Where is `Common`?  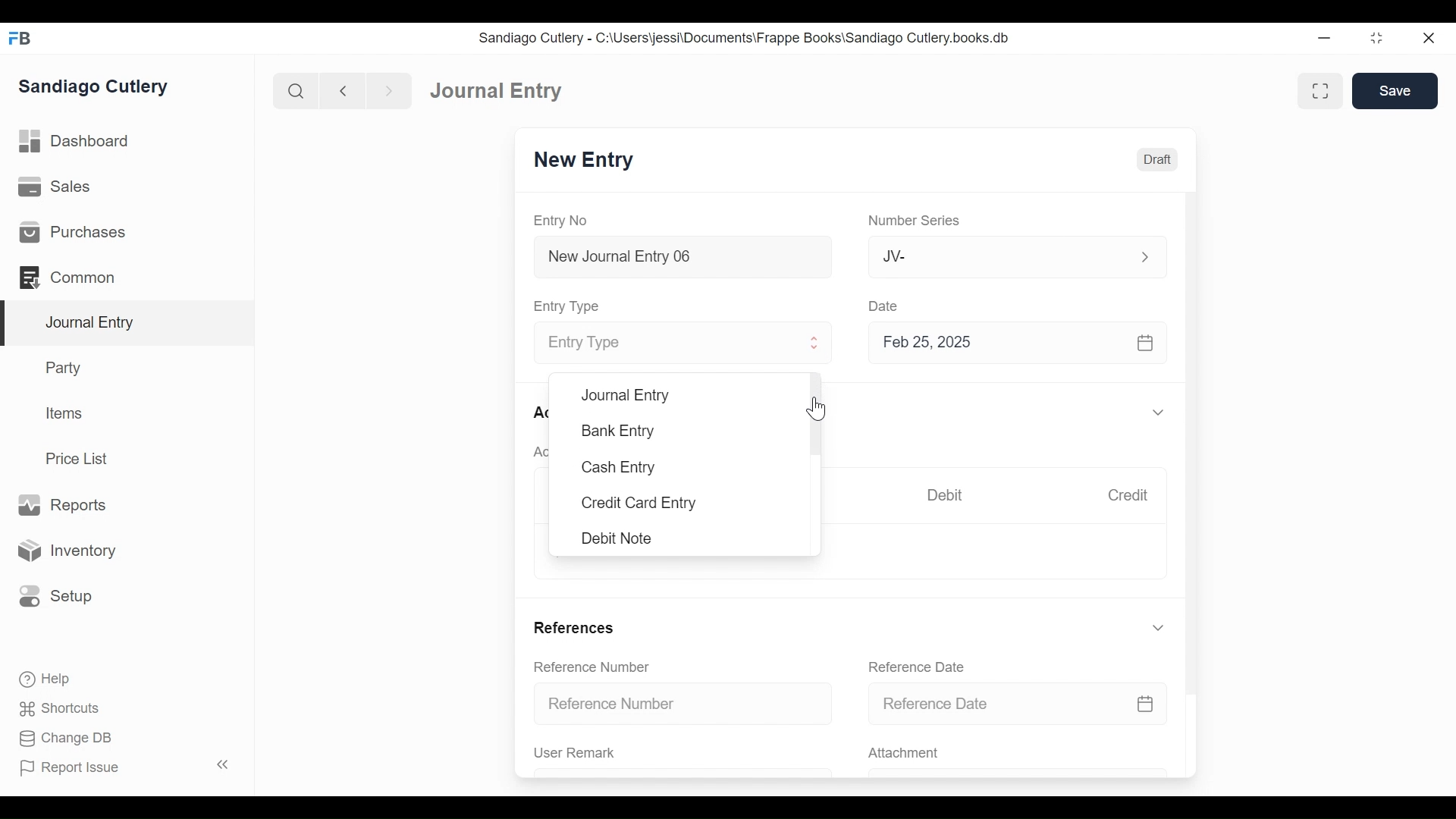
Common is located at coordinates (75, 278).